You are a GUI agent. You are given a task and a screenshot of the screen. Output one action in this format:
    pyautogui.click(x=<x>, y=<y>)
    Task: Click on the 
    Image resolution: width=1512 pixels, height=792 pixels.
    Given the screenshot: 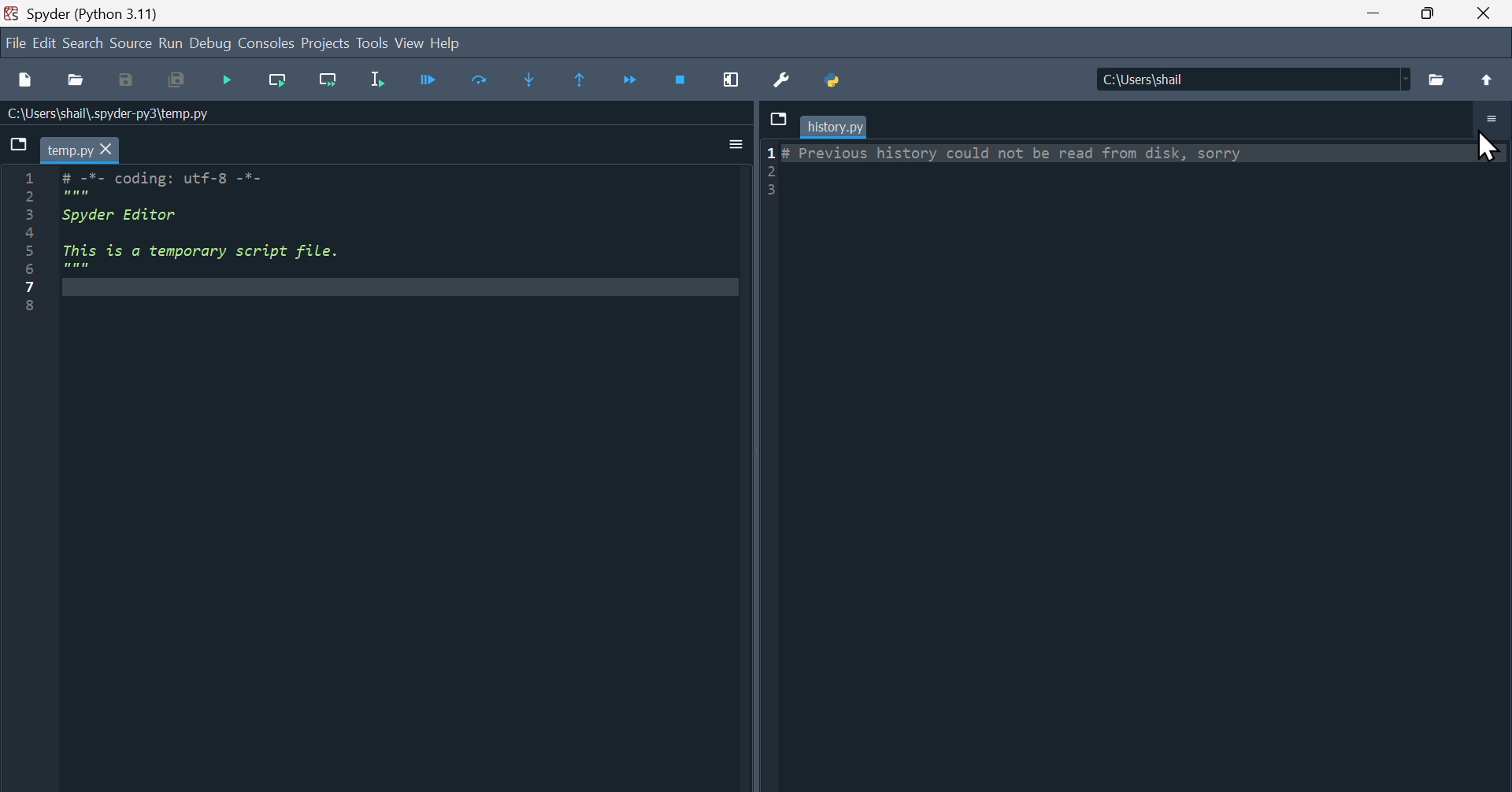 What is the action you would take?
    pyautogui.click(x=735, y=145)
    